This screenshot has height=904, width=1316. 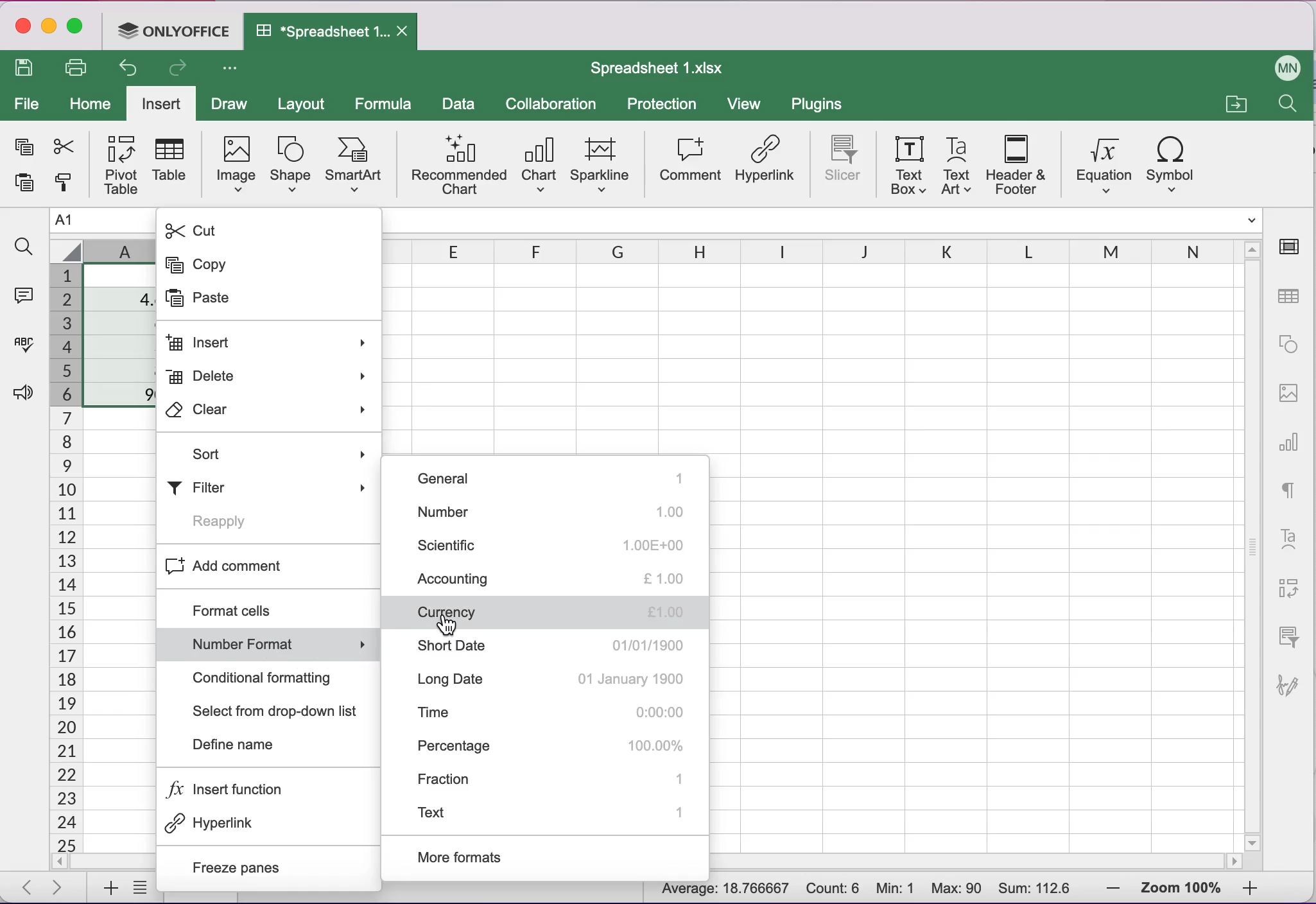 What do you see at coordinates (231, 103) in the screenshot?
I see `draw` at bounding box center [231, 103].